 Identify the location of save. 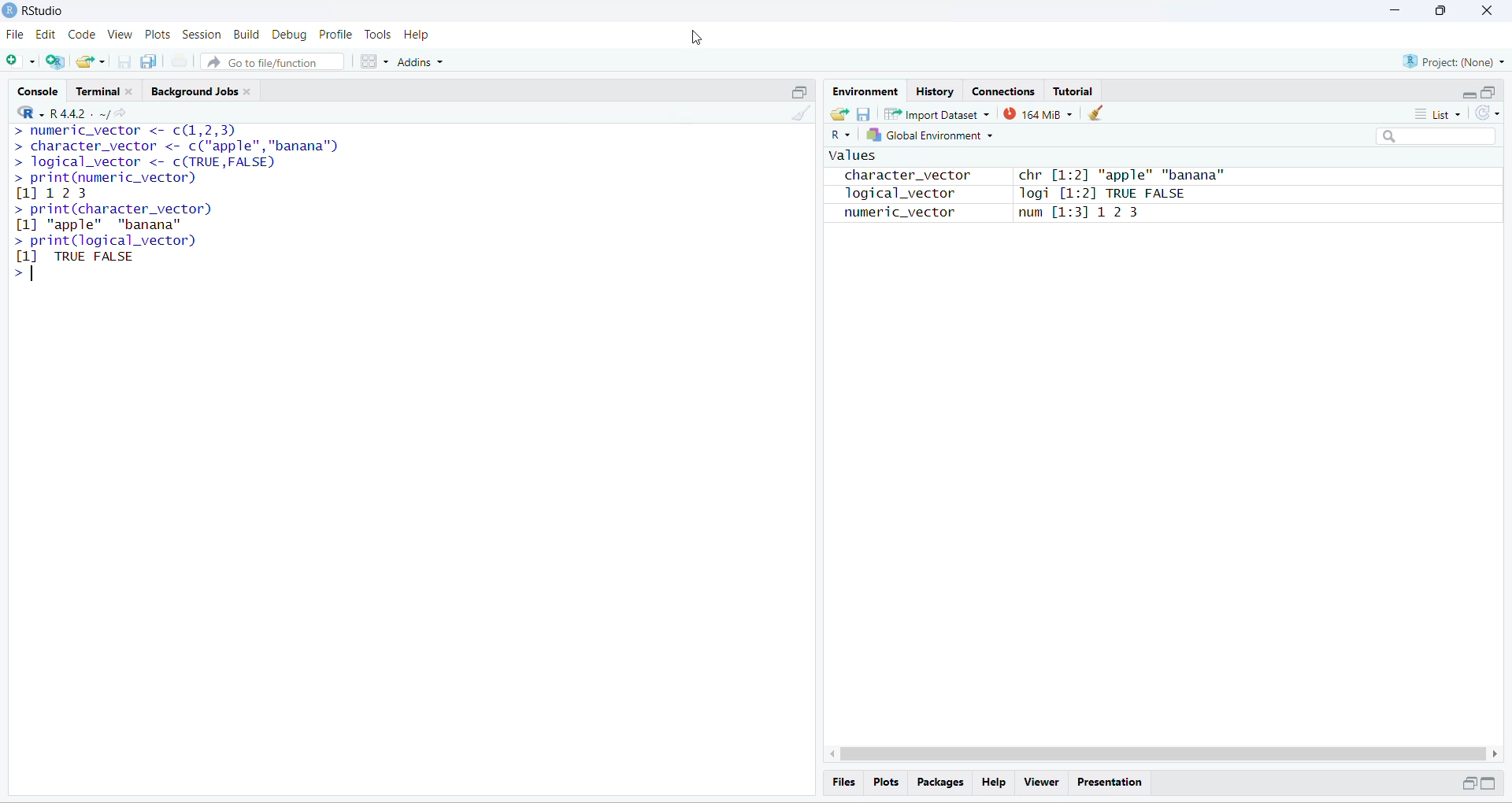
(862, 114).